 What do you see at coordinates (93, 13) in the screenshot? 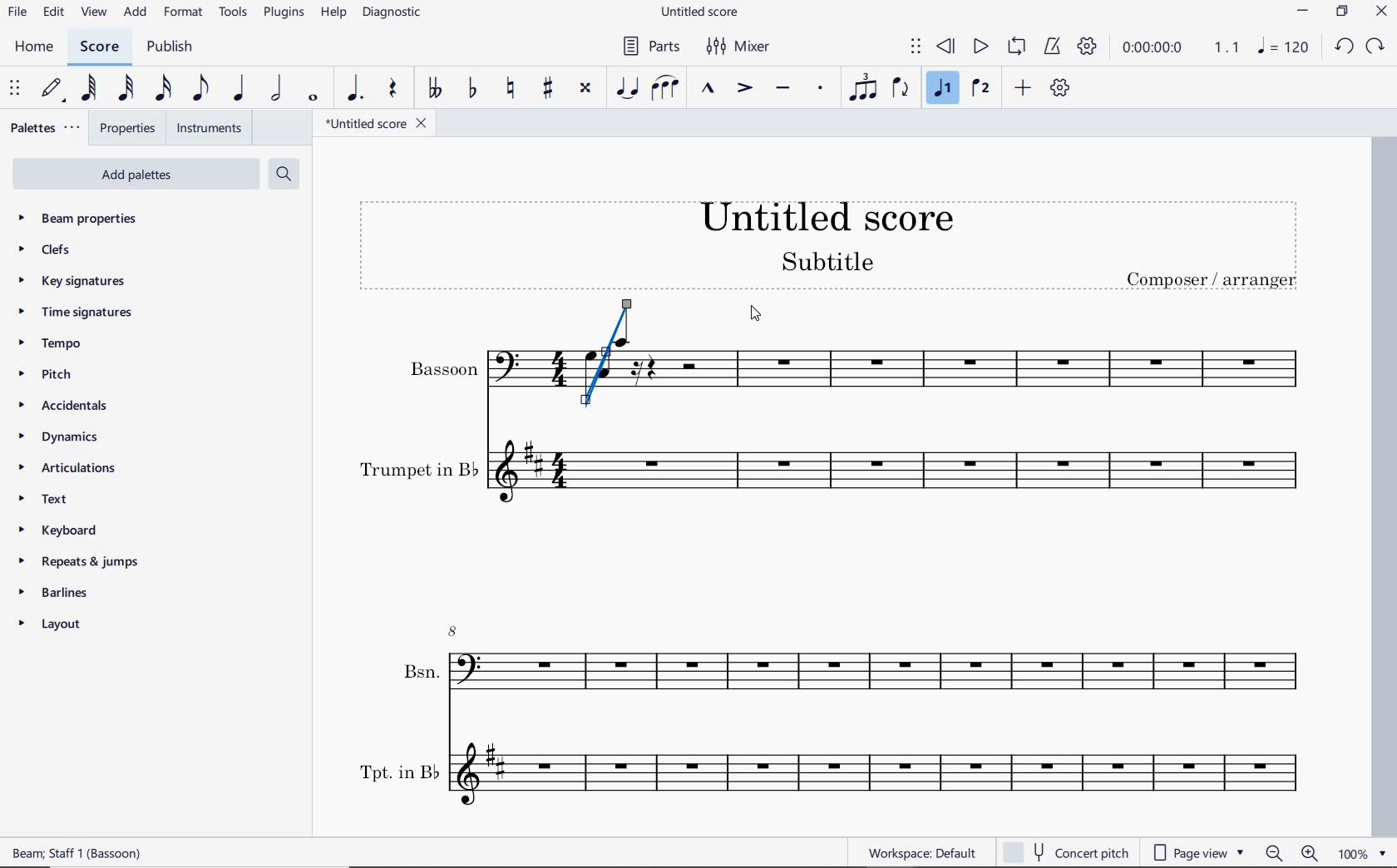
I see `view` at bounding box center [93, 13].